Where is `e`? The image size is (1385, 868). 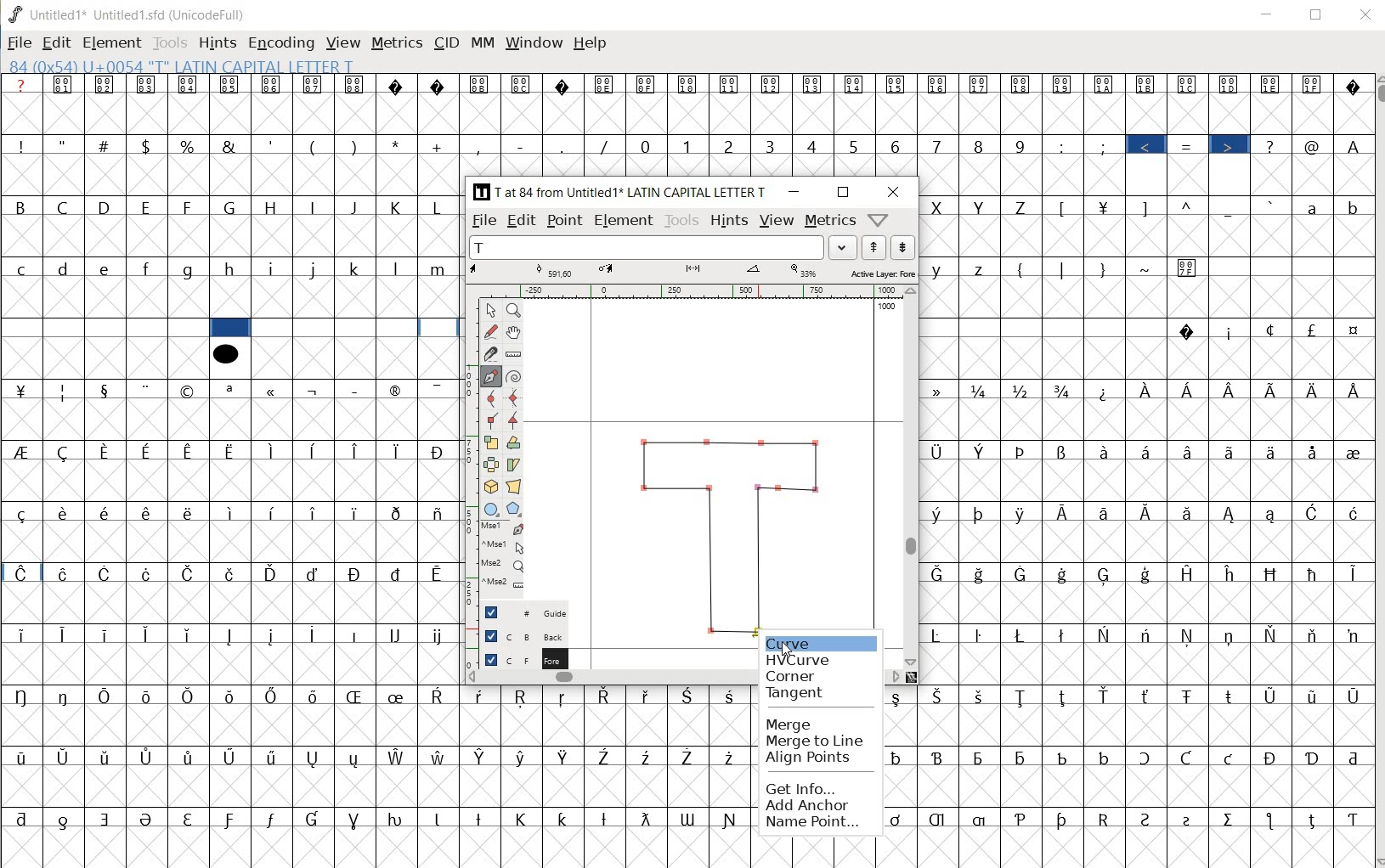 e is located at coordinates (106, 269).